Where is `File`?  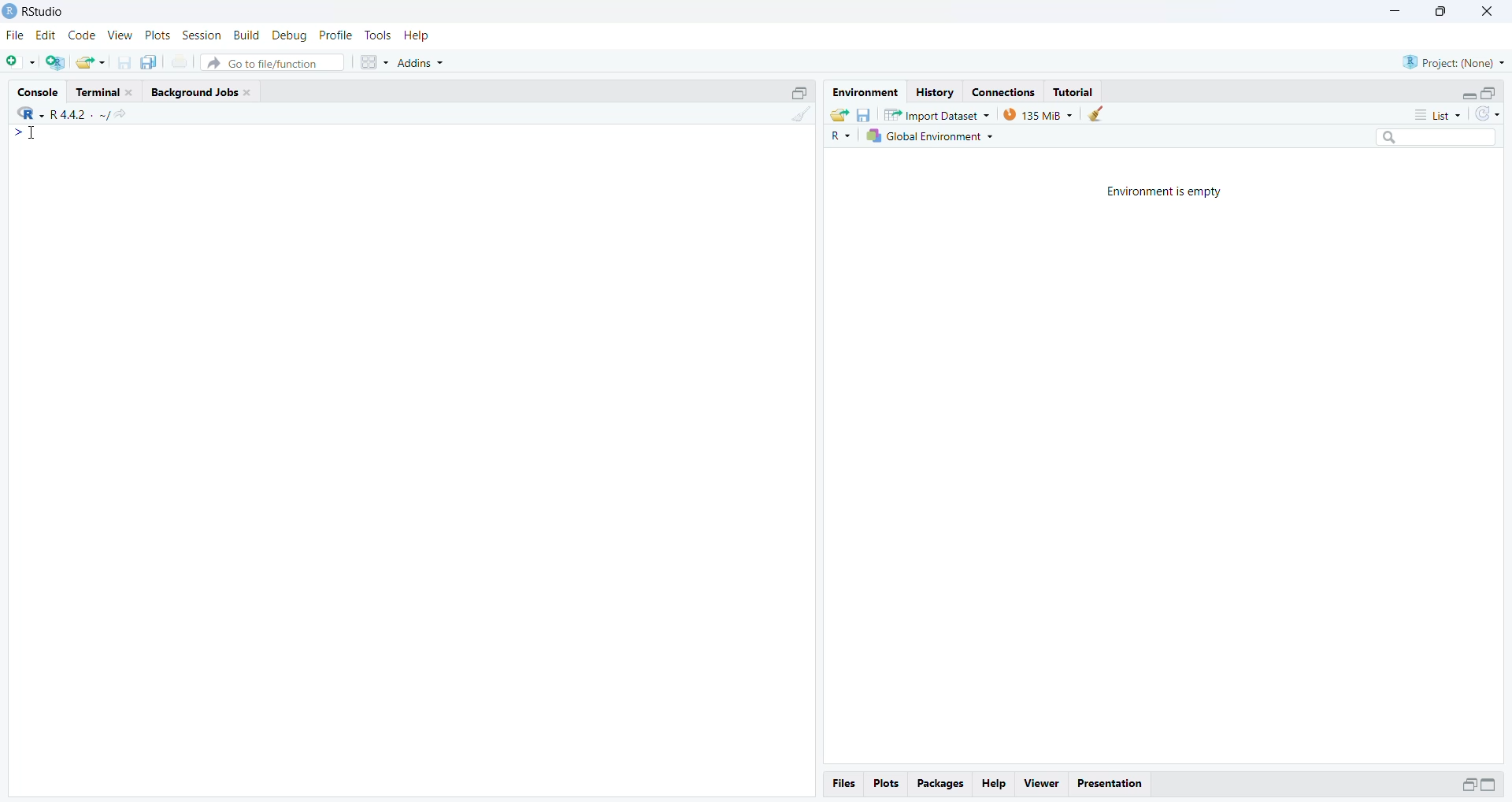 File is located at coordinates (17, 35).